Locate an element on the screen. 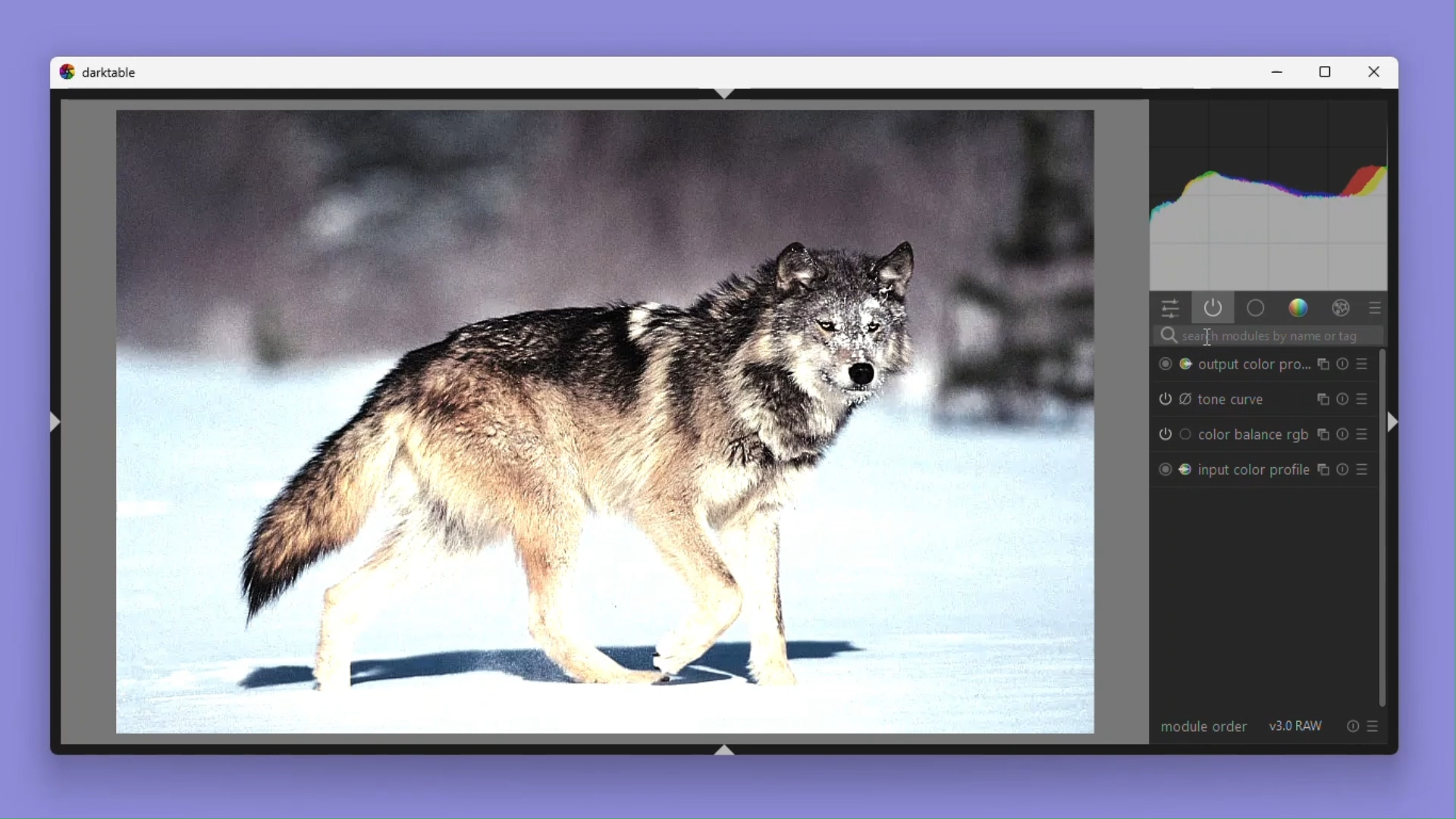  Reset  is located at coordinates (1345, 435).